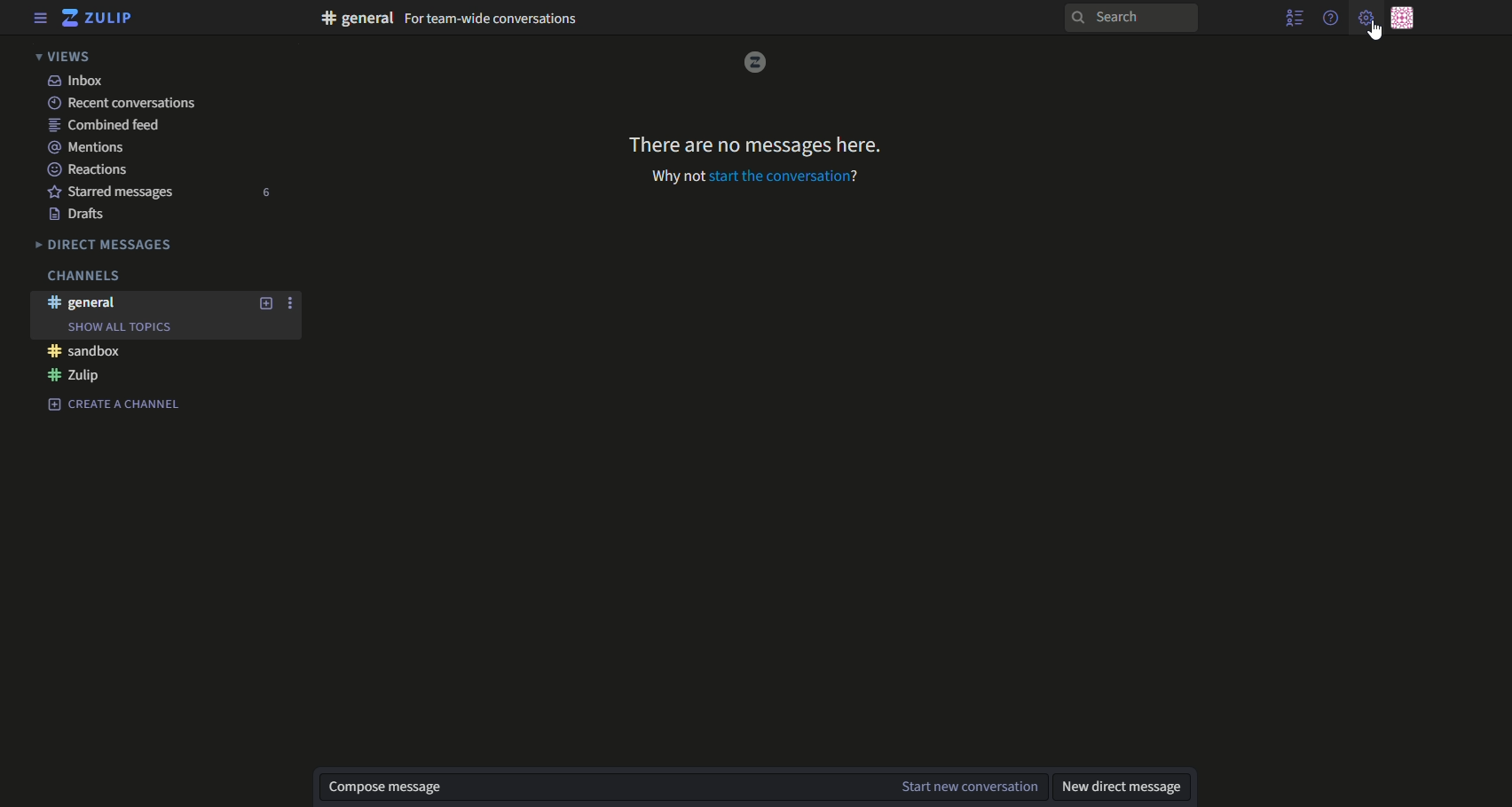 This screenshot has width=1512, height=807. I want to click on options, so click(294, 304).